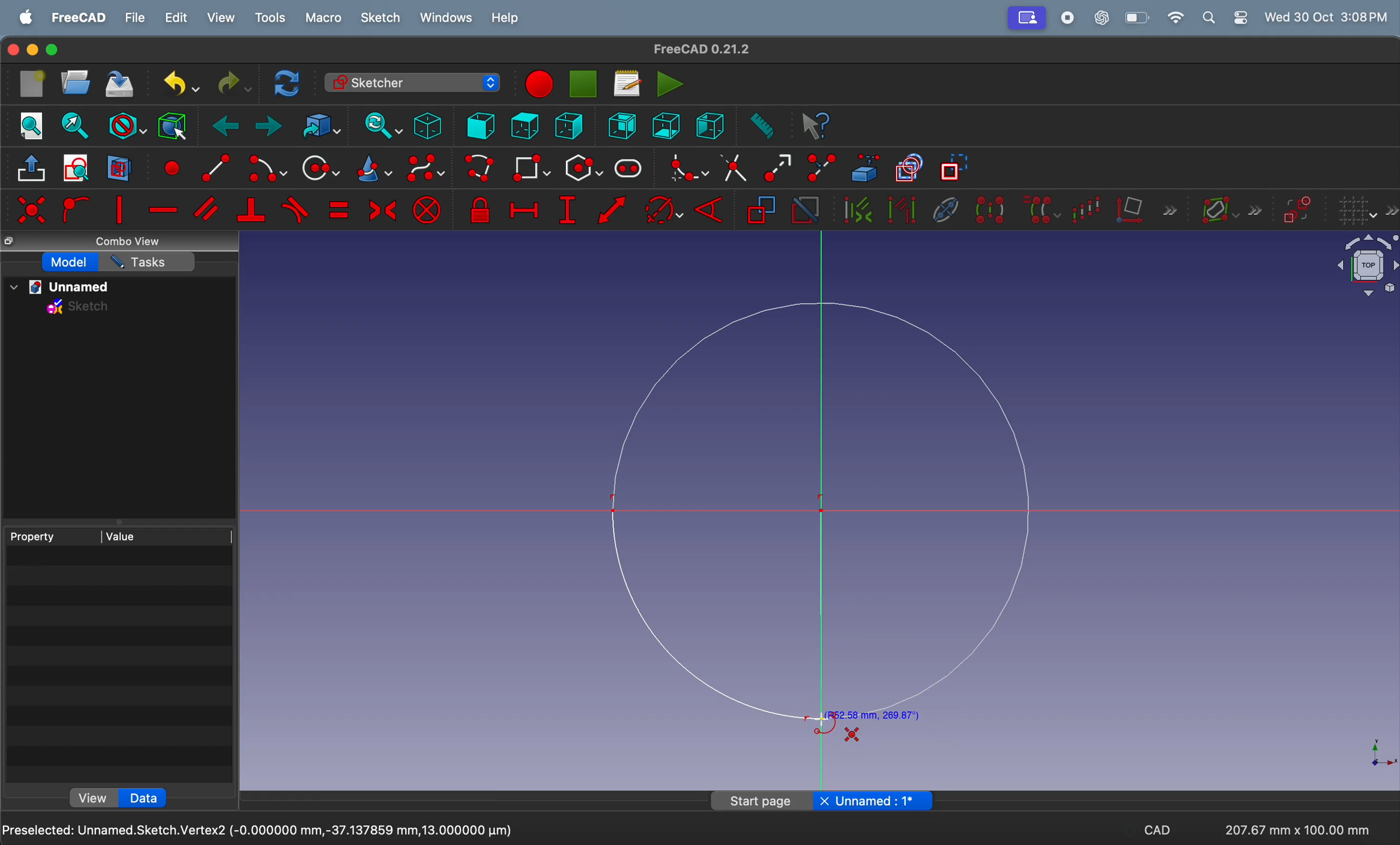 This screenshot has height=845, width=1400. Describe the element at coordinates (126, 124) in the screenshot. I see `draw styles` at that location.